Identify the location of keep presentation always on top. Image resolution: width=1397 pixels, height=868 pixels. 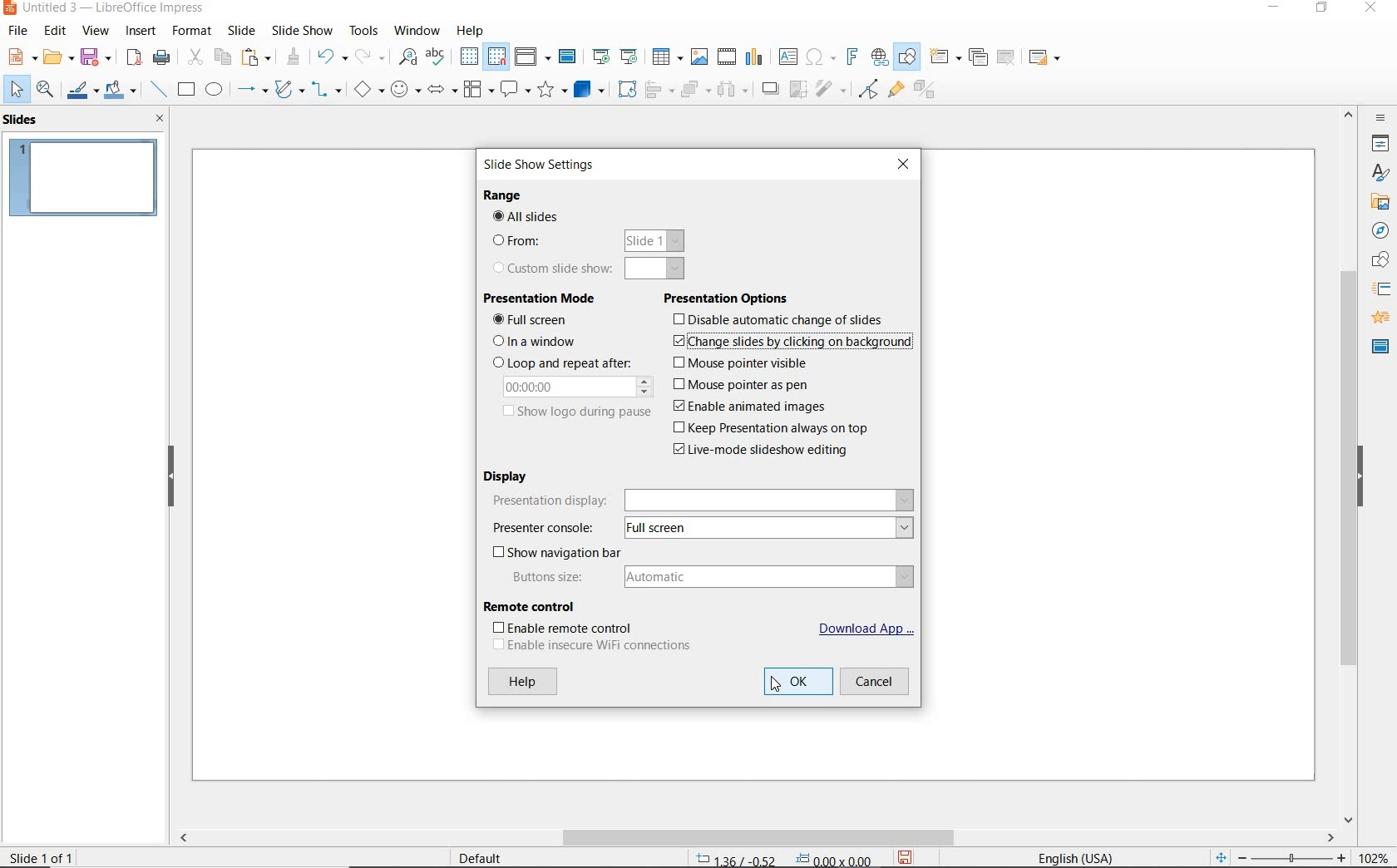
(772, 430).